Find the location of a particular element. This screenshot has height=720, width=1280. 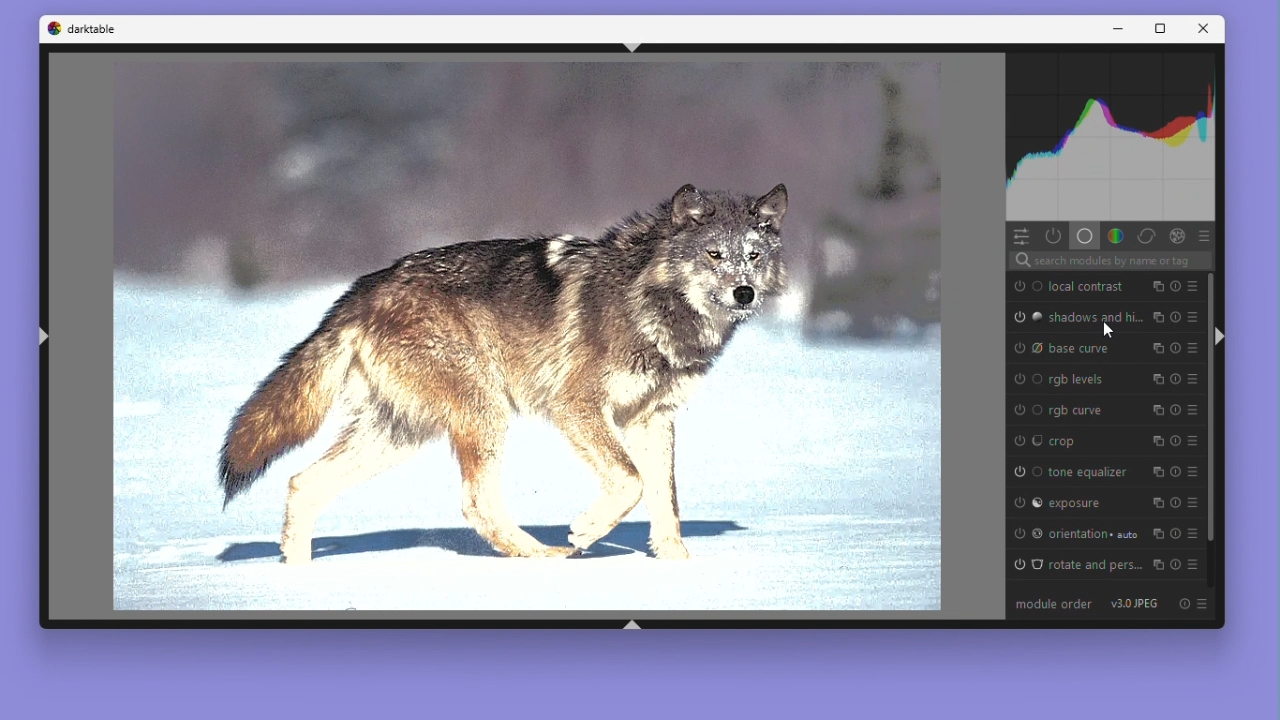

Module order is located at coordinates (1034, 606).